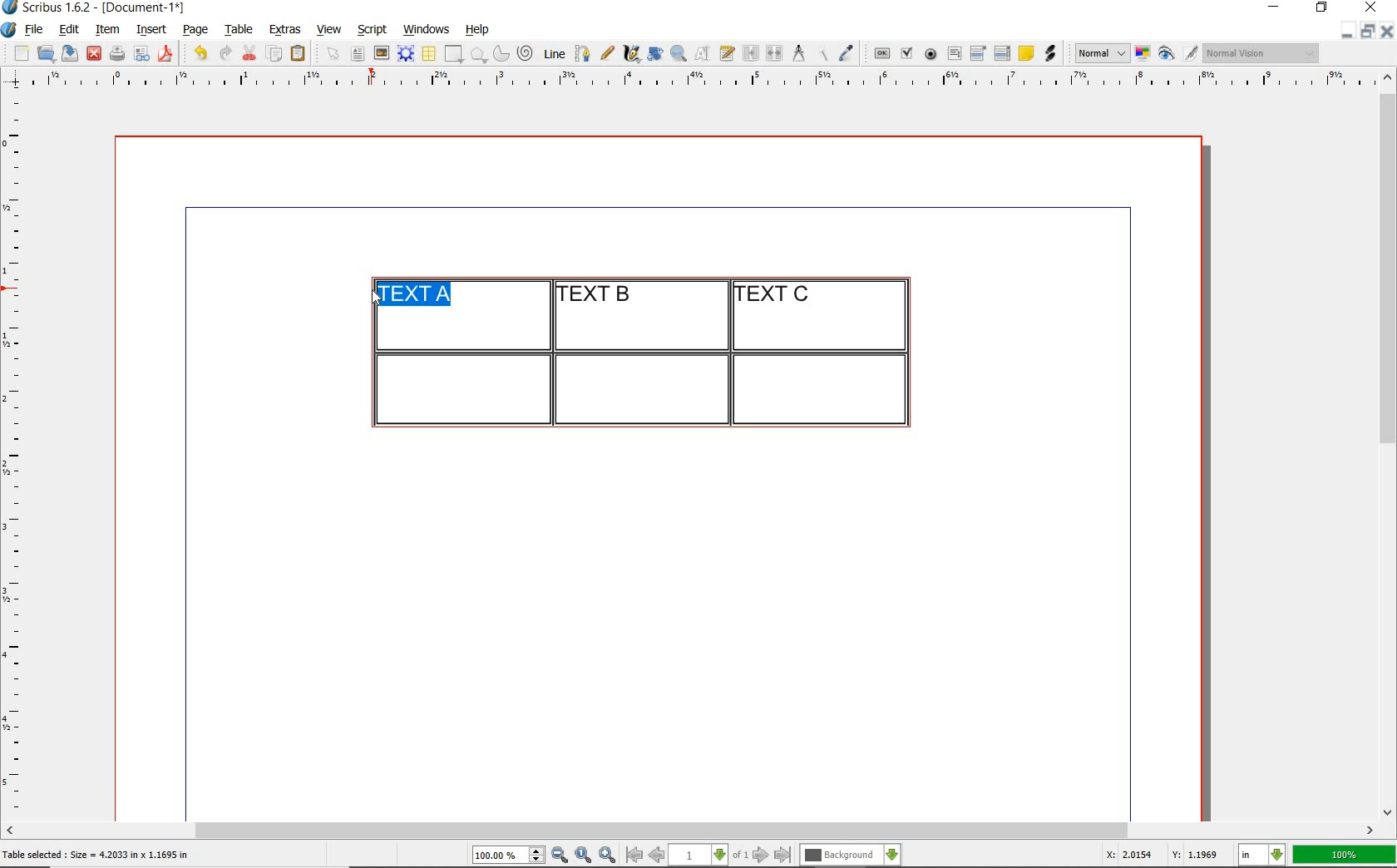 This screenshot has height=868, width=1397. Describe the element at coordinates (607, 53) in the screenshot. I see `freehand line` at that location.